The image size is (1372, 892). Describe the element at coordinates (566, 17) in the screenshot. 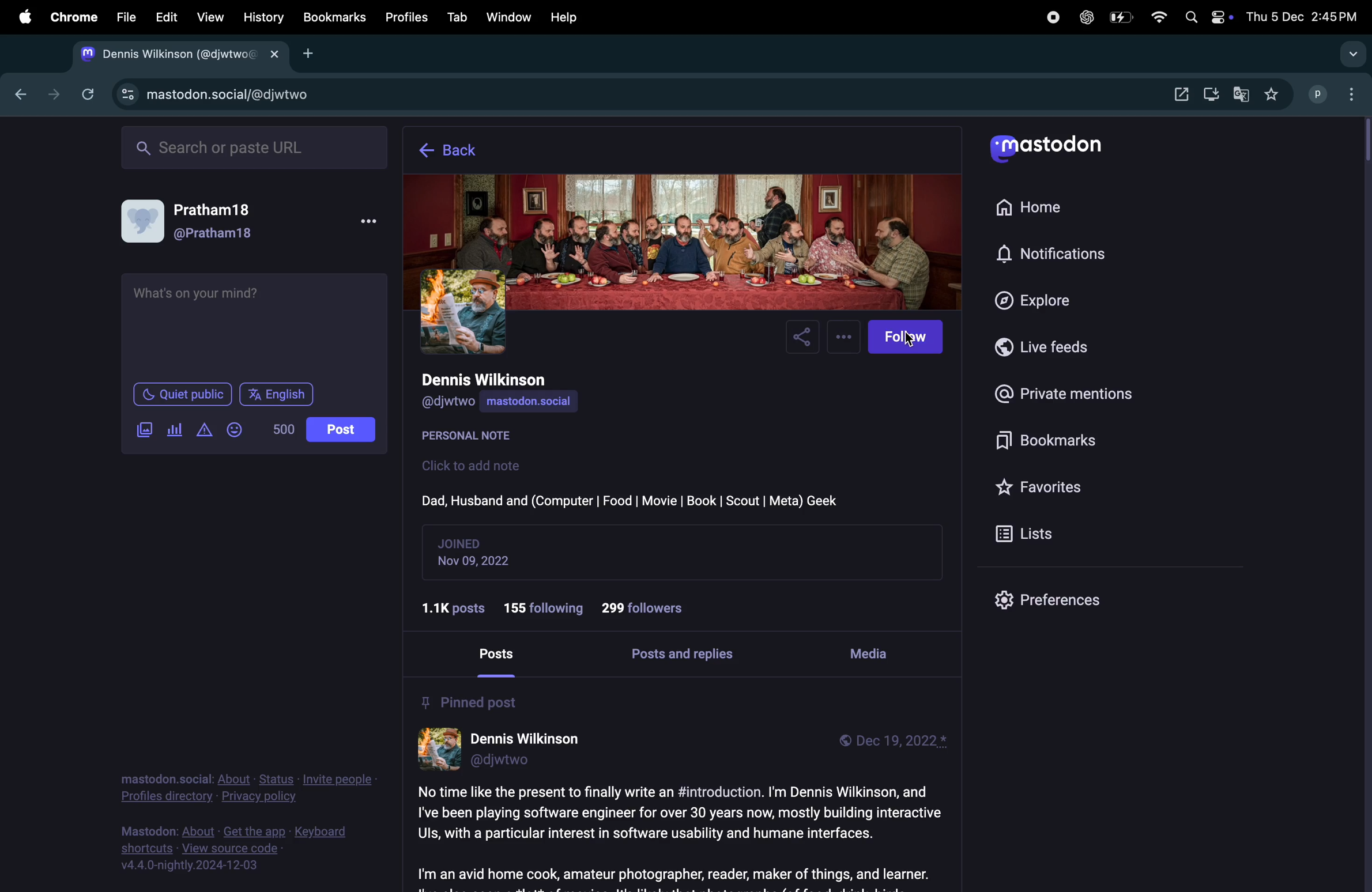

I see `help` at that location.